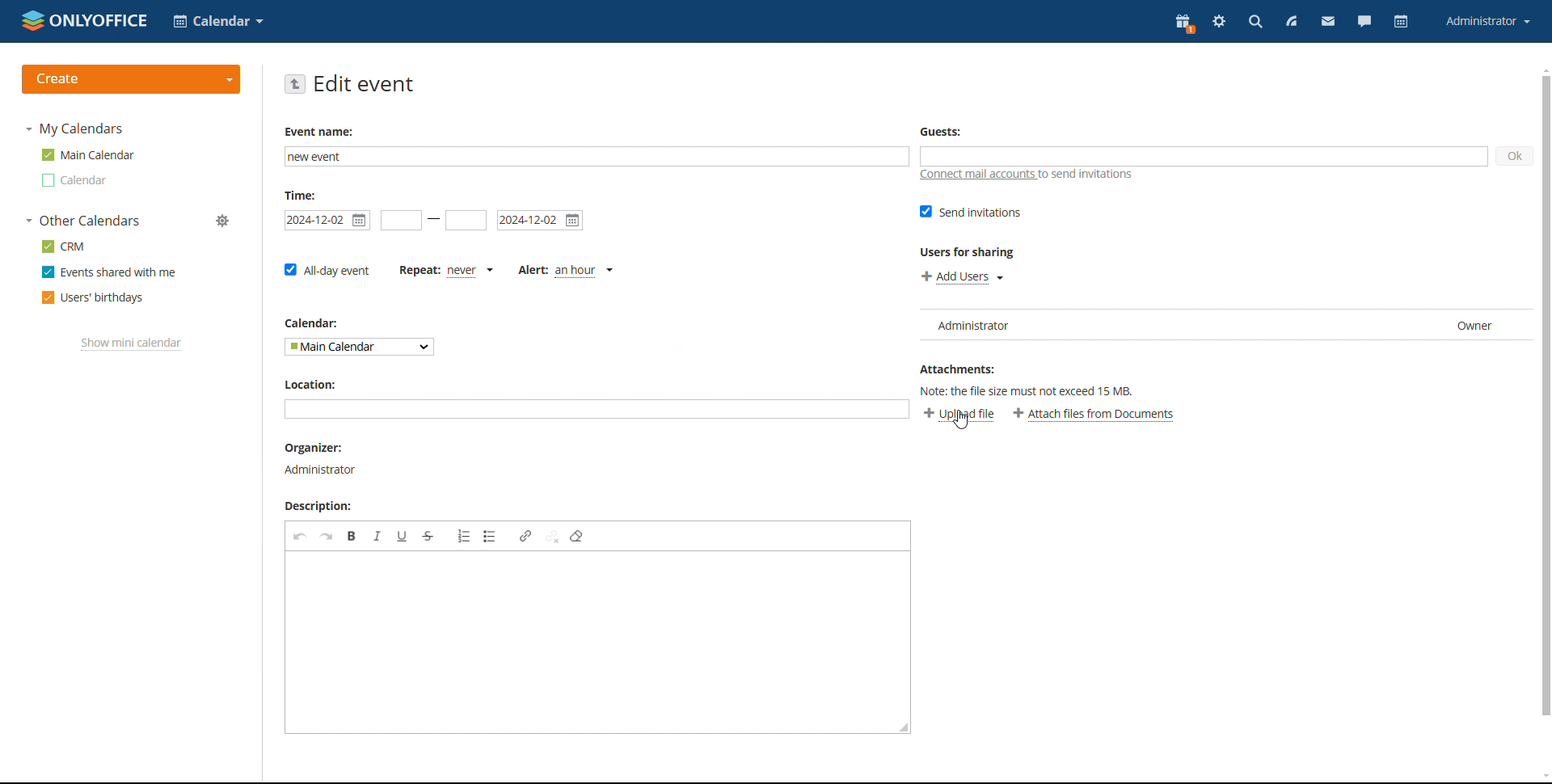 The width and height of the screenshot is (1552, 784). Describe the element at coordinates (324, 132) in the screenshot. I see `event name:` at that location.